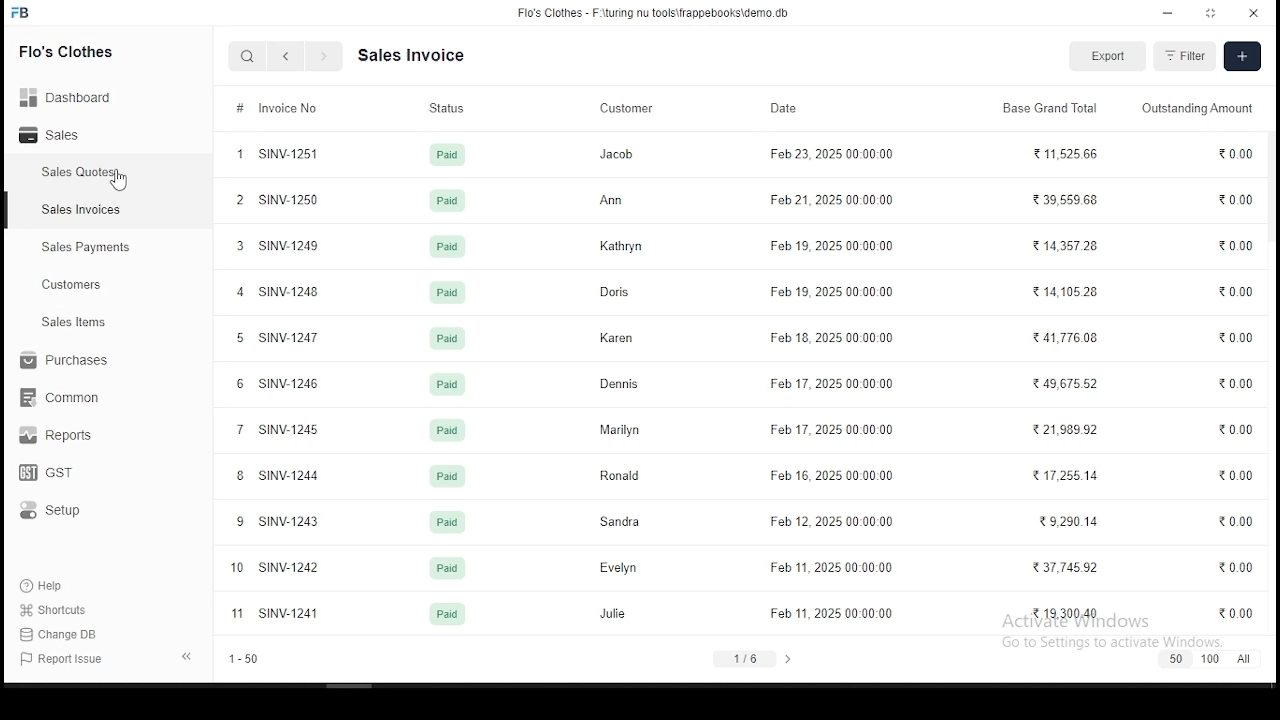  What do you see at coordinates (832, 475) in the screenshot?
I see `Feb 16, 2025 00.00.00` at bounding box center [832, 475].